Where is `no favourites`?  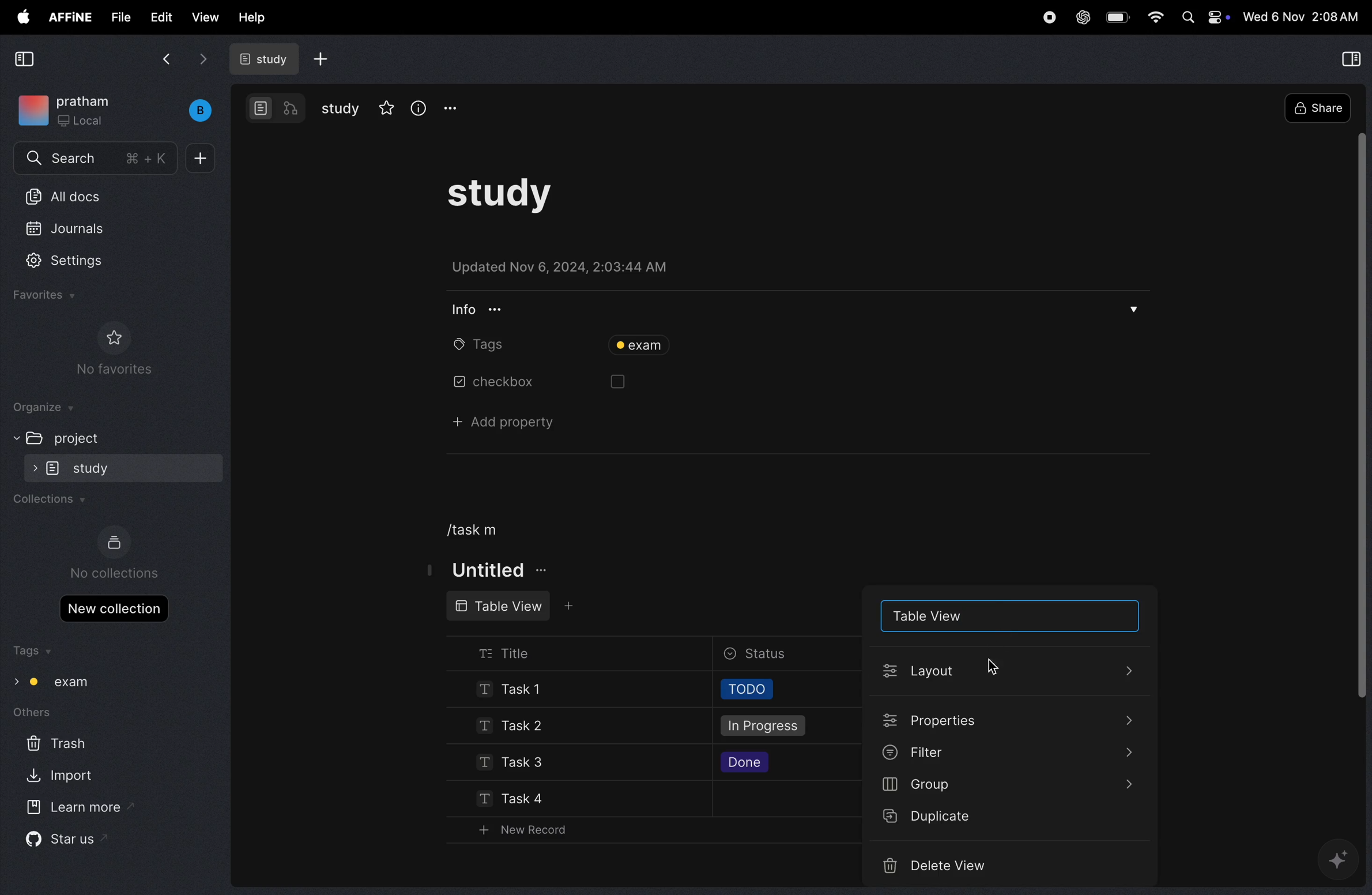
no favourites is located at coordinates (116, 348).